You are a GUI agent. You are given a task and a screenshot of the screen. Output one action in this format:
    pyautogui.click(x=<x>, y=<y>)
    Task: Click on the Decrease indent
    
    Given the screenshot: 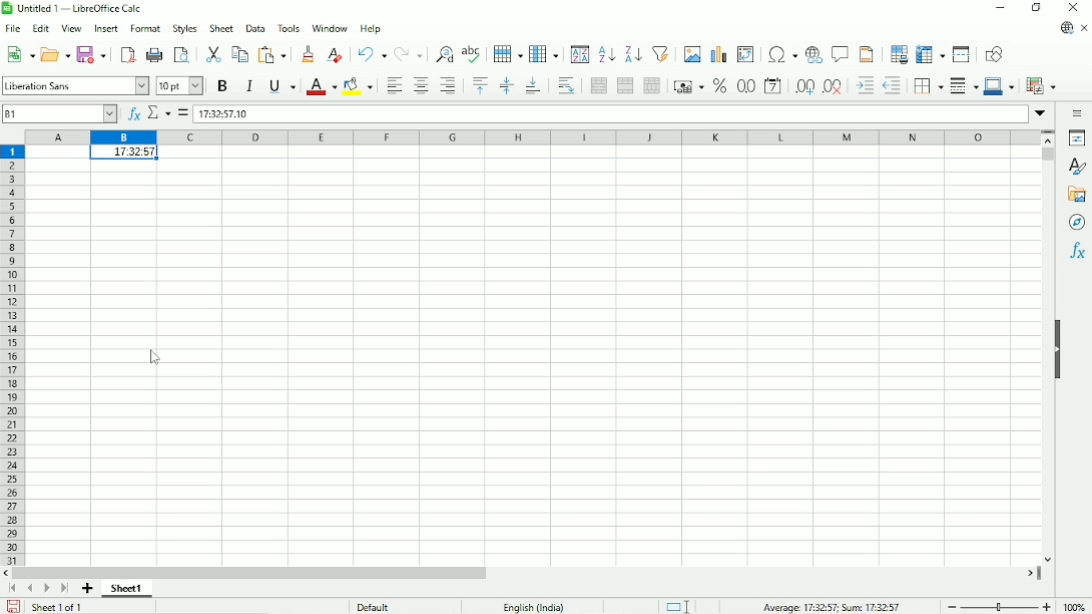 What is the action you would take?
    pyautogui.click(x=893, y=85)
    